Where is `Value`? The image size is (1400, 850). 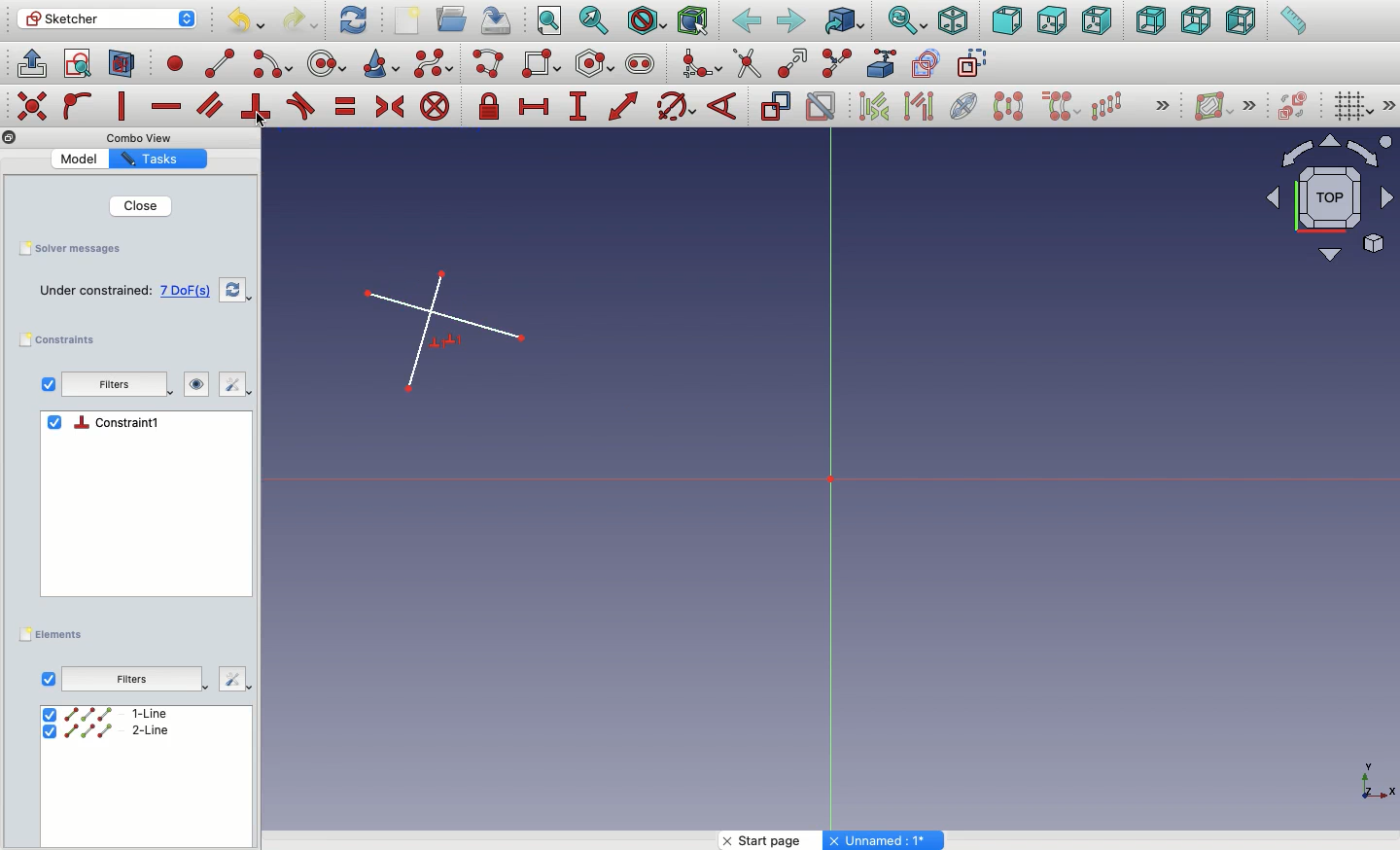
Value is located at coordinates (79, 159).